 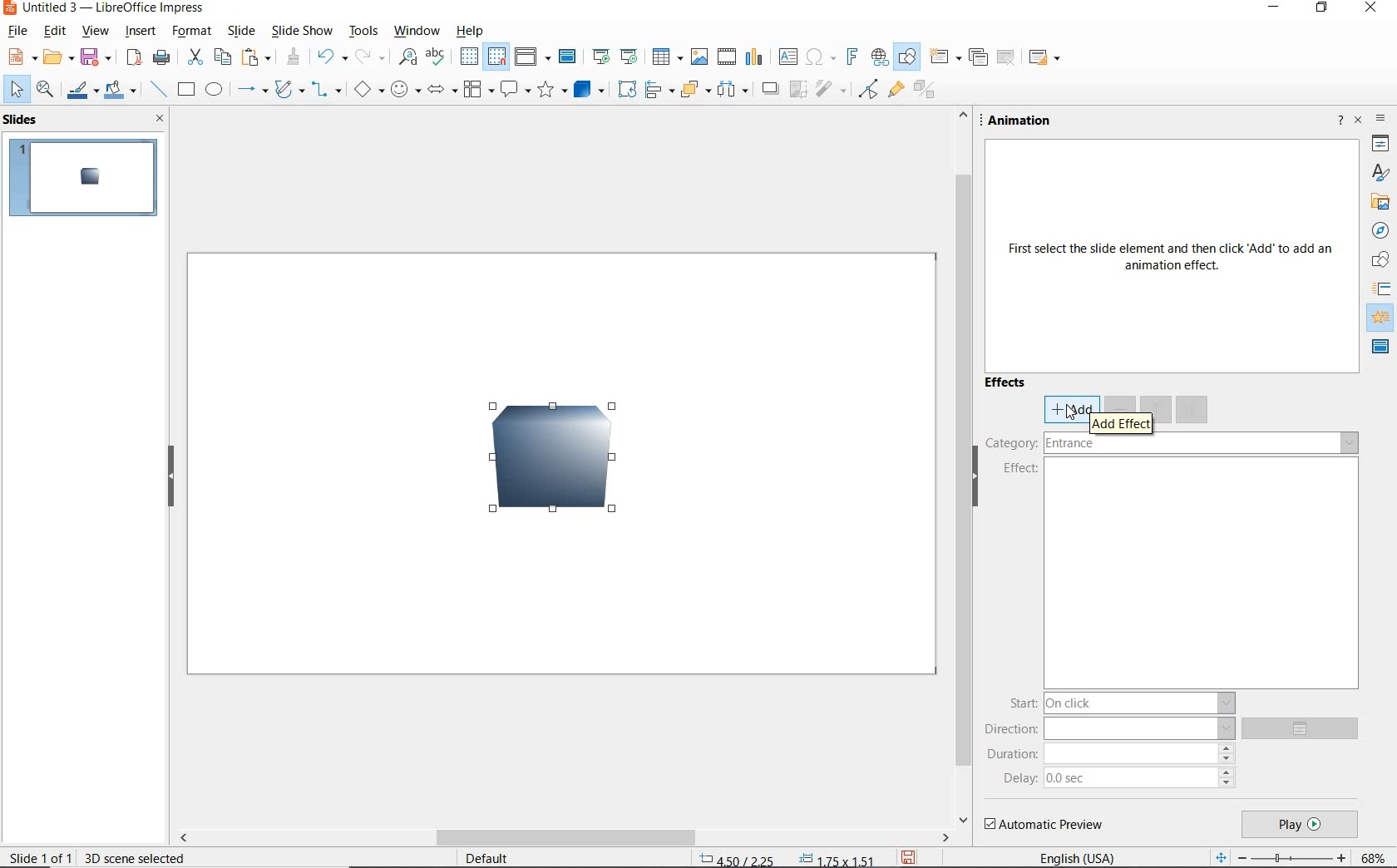 What do you see at coordinates (172, 480) in the screenshot?
I see `hide` at bounding box center [172, 480].